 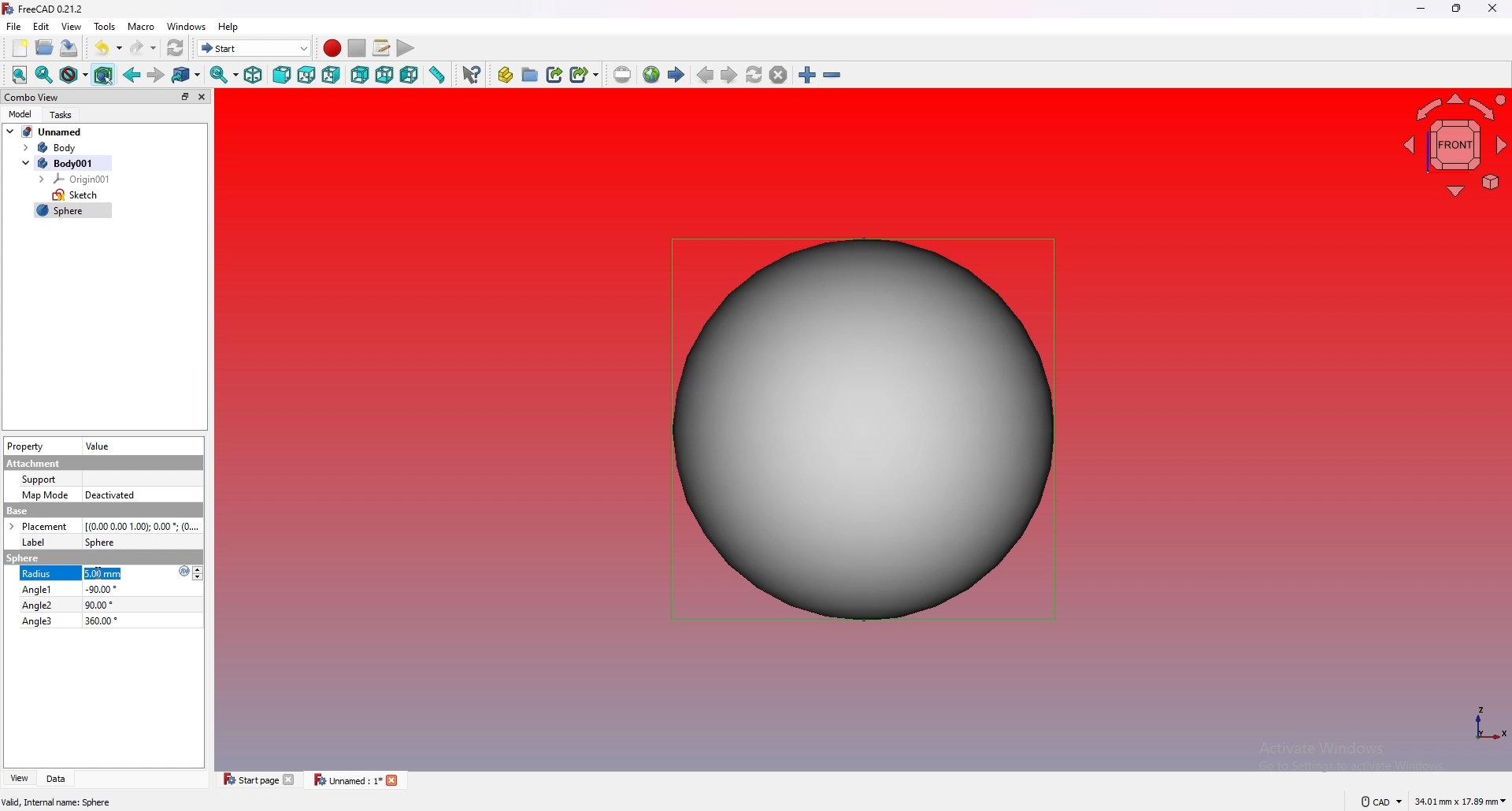 What do you see at coordinates (141, 27) in the screenshot?
I see `macro` at bounding box center [141, 27].